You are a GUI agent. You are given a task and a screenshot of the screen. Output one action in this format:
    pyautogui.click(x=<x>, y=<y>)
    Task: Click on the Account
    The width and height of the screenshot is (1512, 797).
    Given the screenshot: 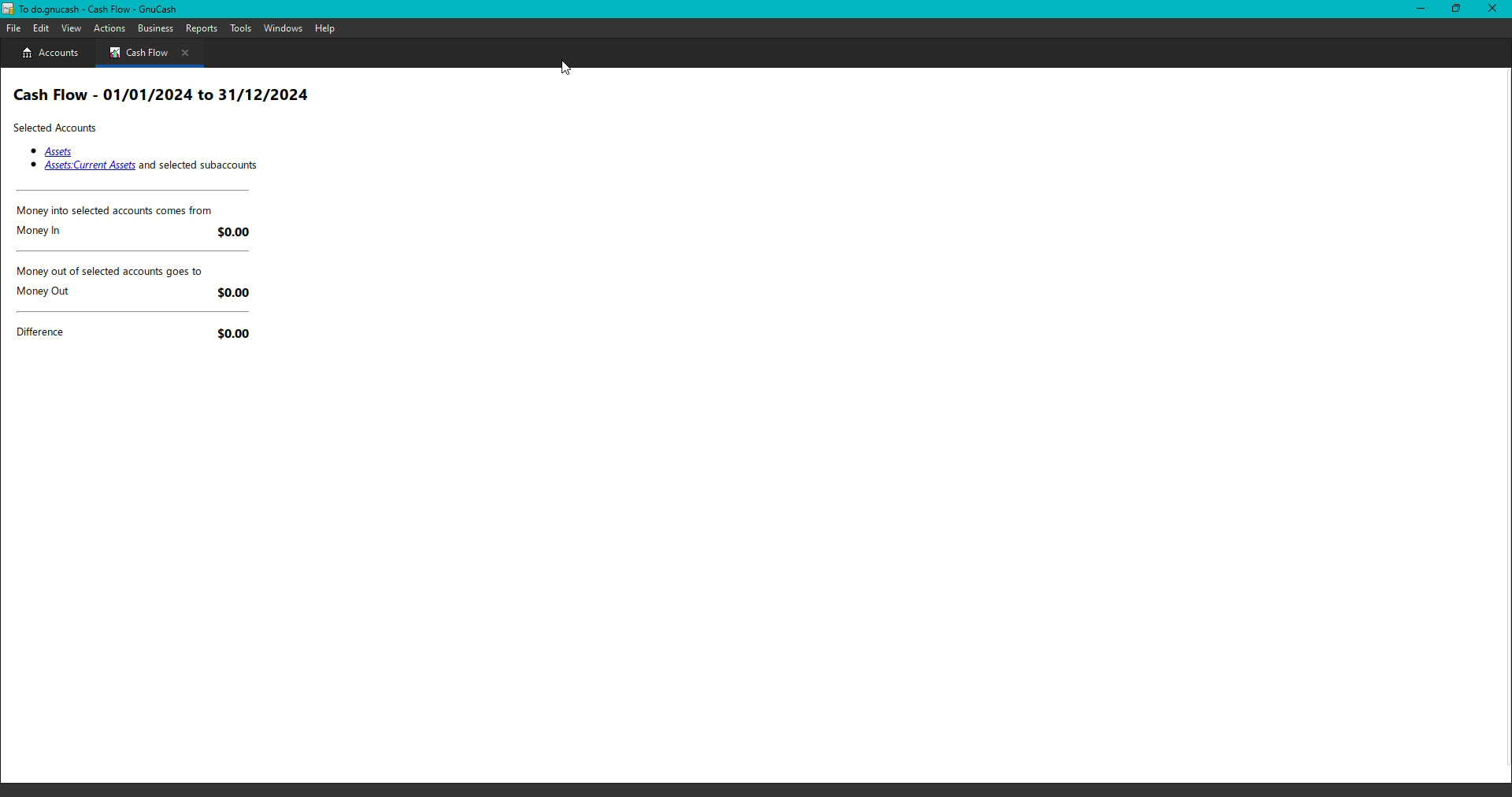 What is the action you would take?
    pyautogui.click(x=54, y=54)
    